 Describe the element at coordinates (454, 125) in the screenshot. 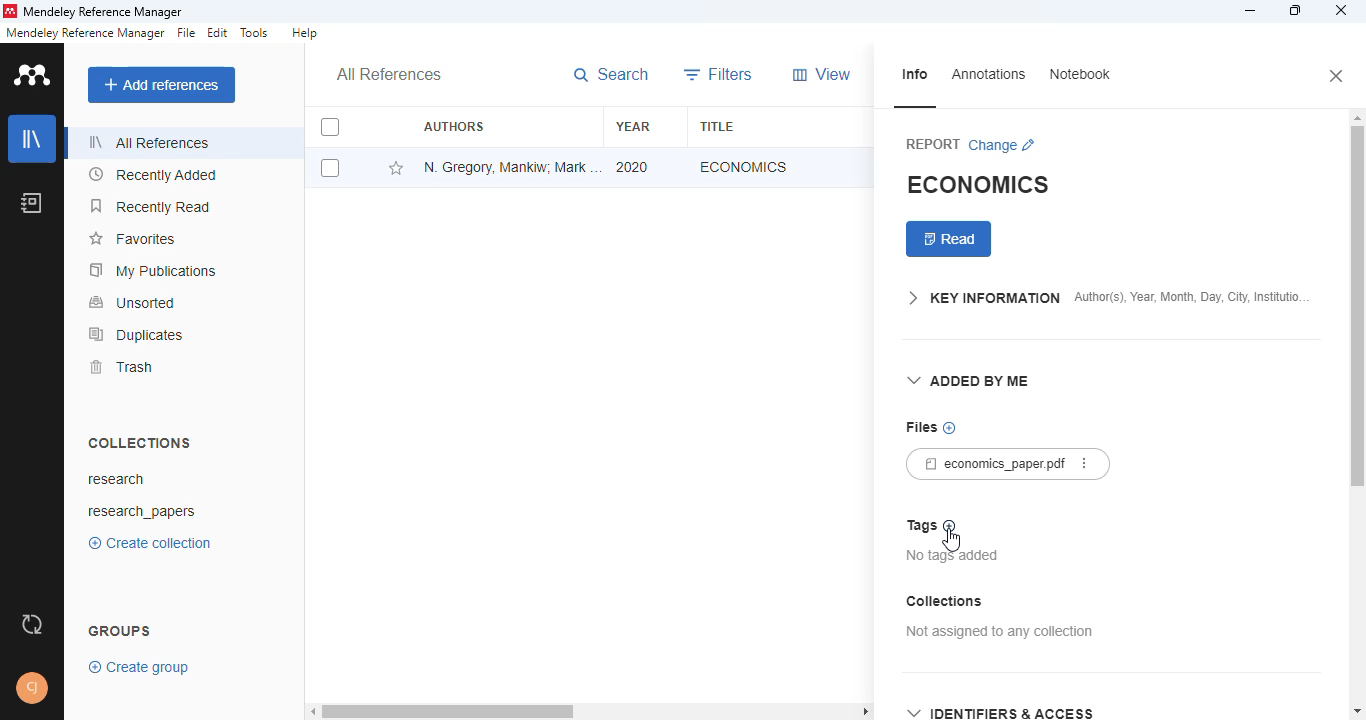

I see `authors` at that location.